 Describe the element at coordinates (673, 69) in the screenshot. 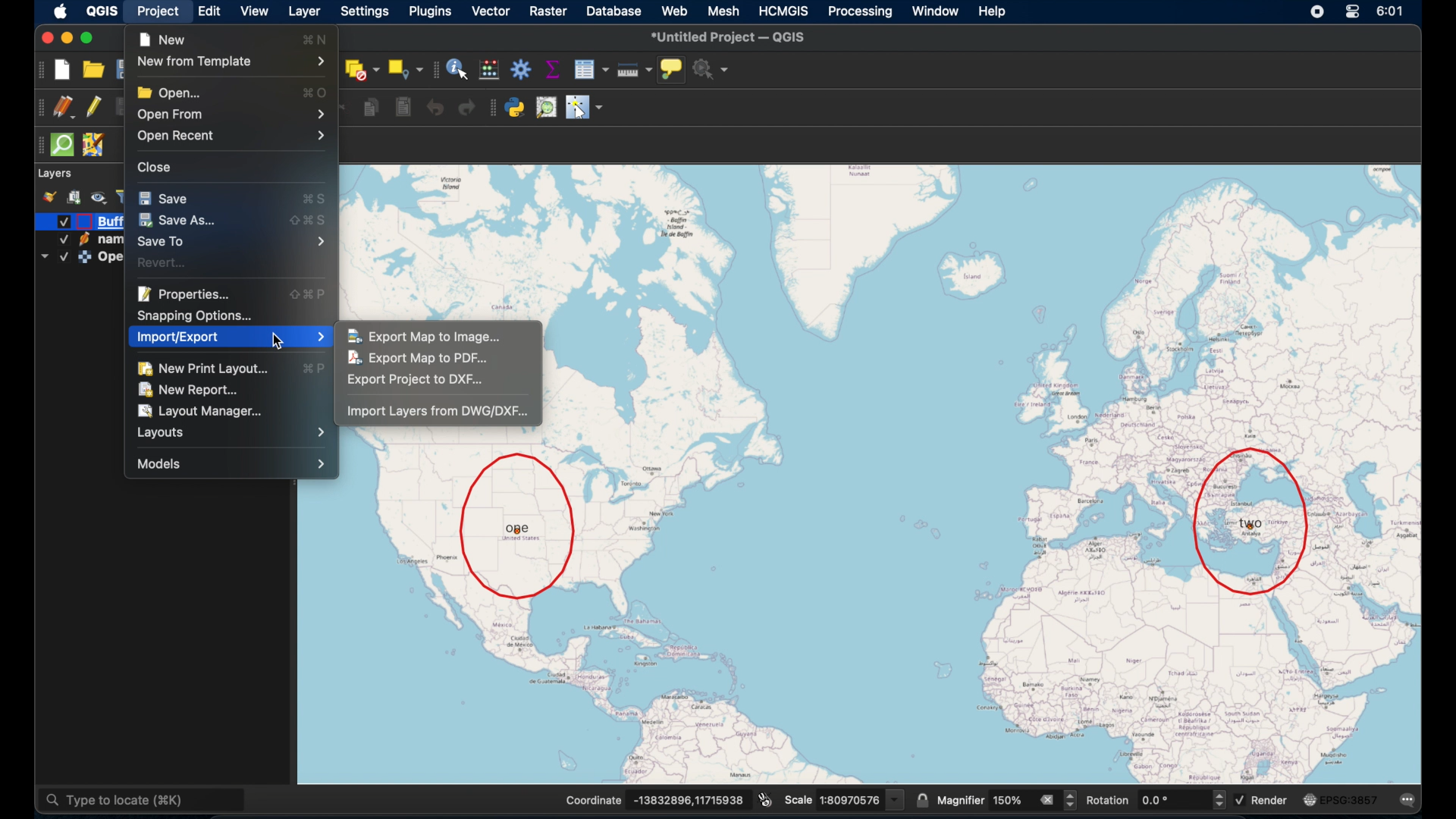

I see `show map tips` at that location.